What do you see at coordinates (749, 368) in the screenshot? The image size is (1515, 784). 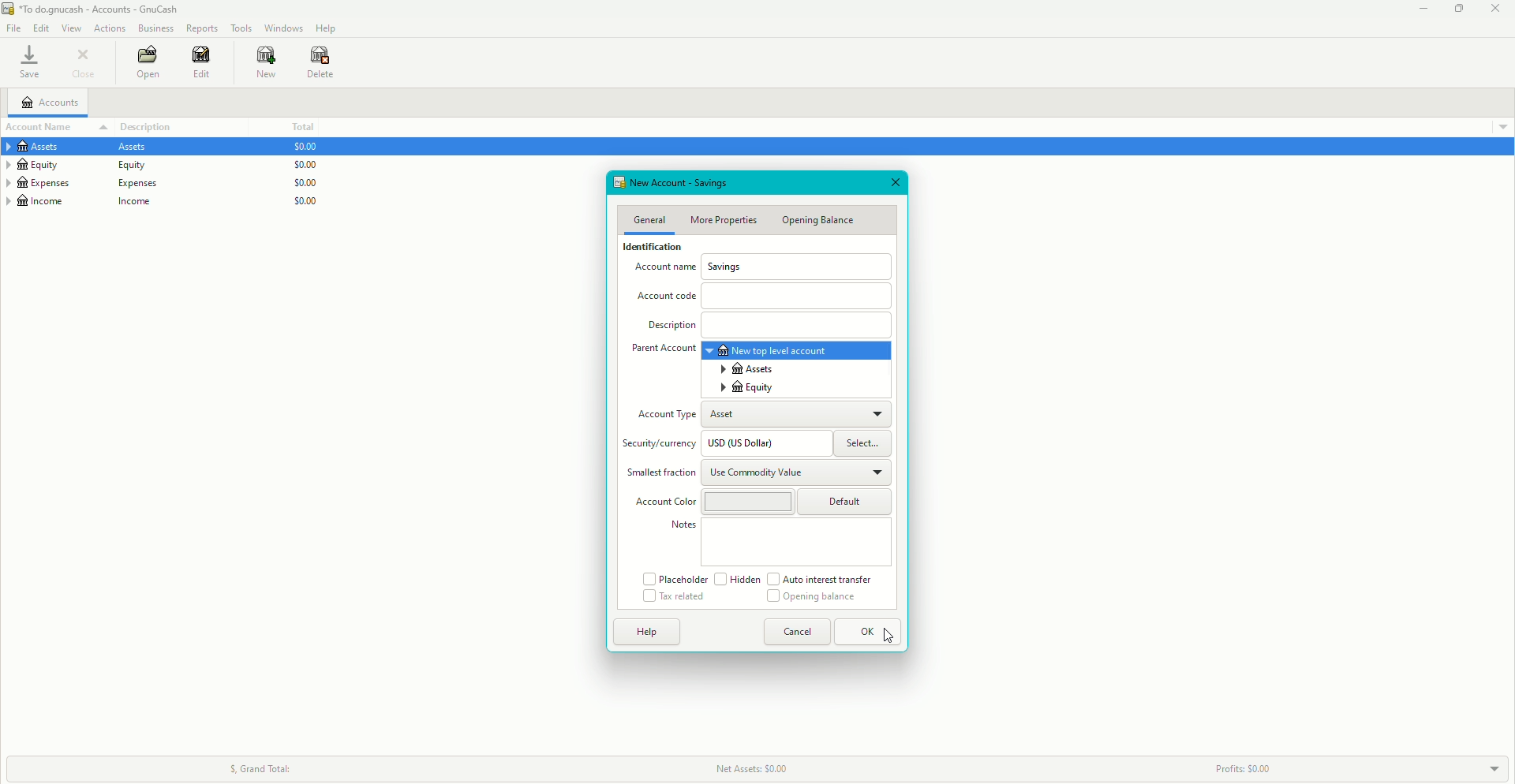 I see `Assets` at bounding box center [749, 368].